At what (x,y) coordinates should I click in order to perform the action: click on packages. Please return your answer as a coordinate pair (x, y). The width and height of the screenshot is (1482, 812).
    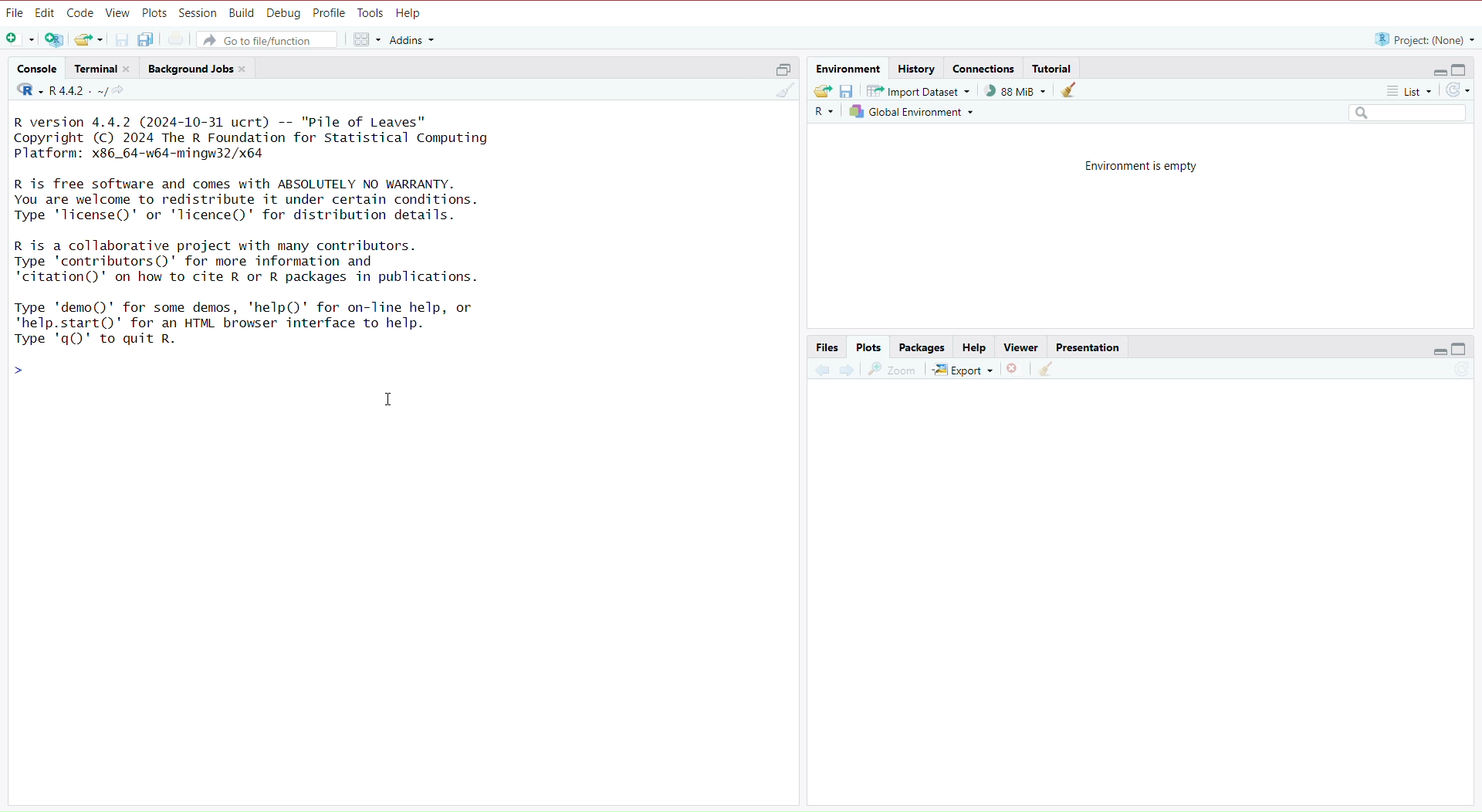
    Looking at the image, I should click on (923, 347).